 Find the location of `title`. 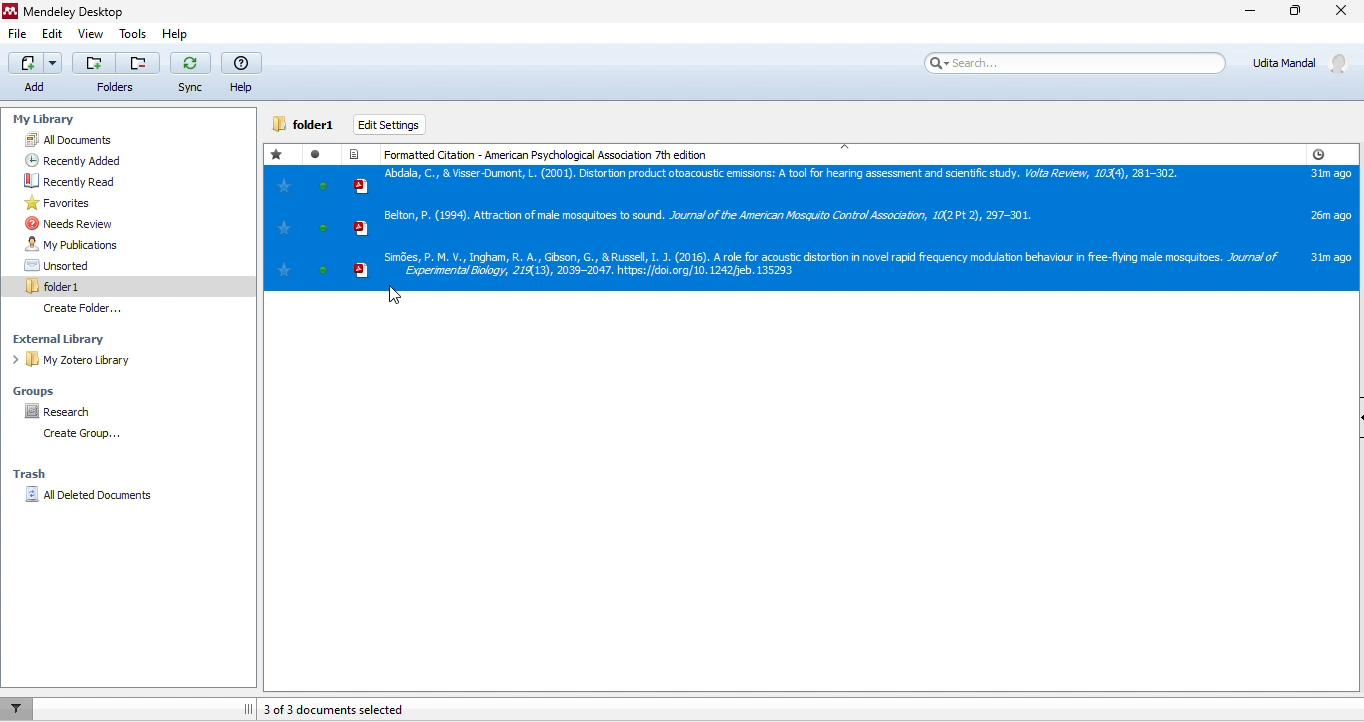

title is located at coordinates (69, 11).